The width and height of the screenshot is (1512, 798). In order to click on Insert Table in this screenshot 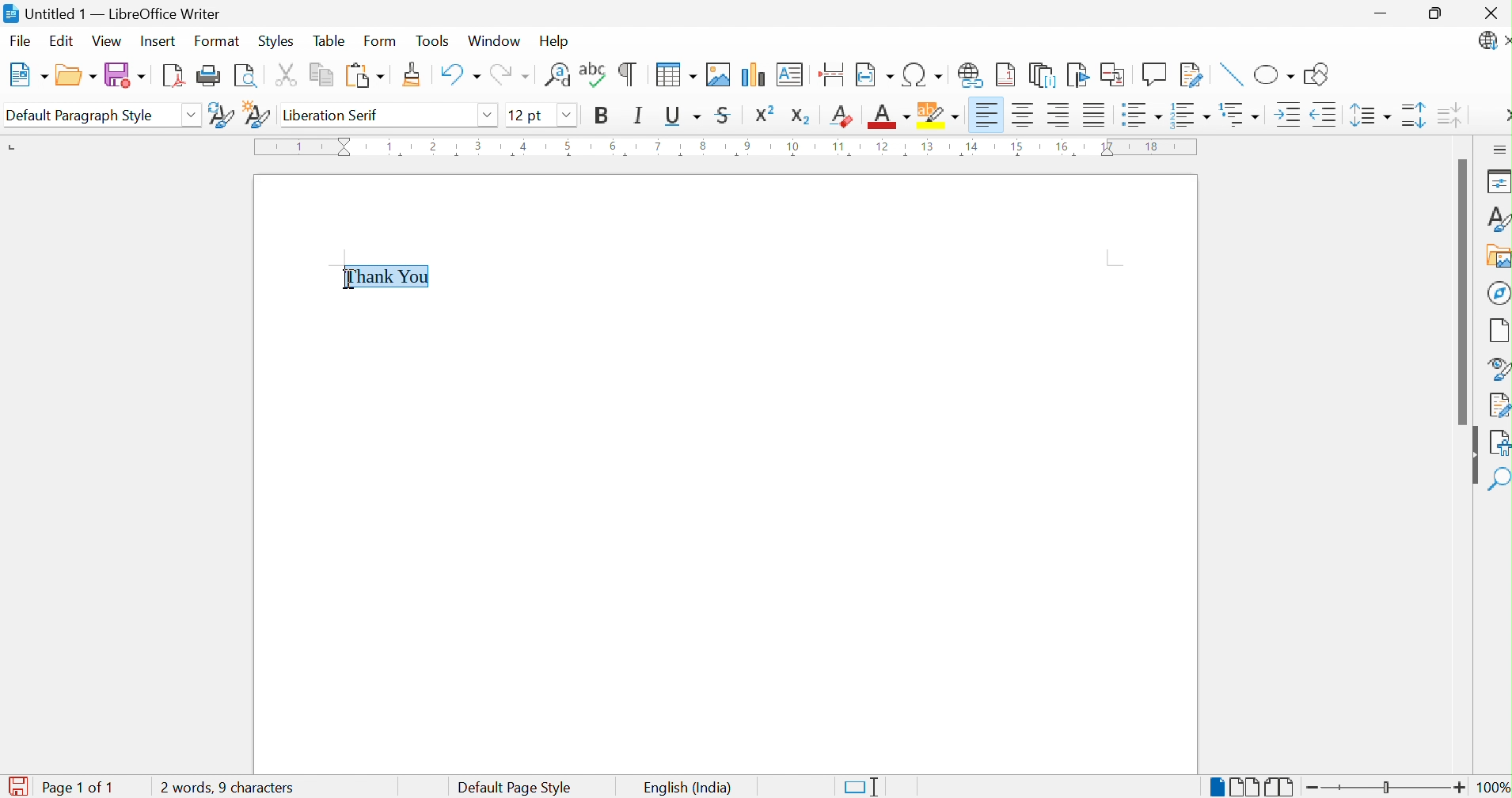, I will do `click(674, 74)`.